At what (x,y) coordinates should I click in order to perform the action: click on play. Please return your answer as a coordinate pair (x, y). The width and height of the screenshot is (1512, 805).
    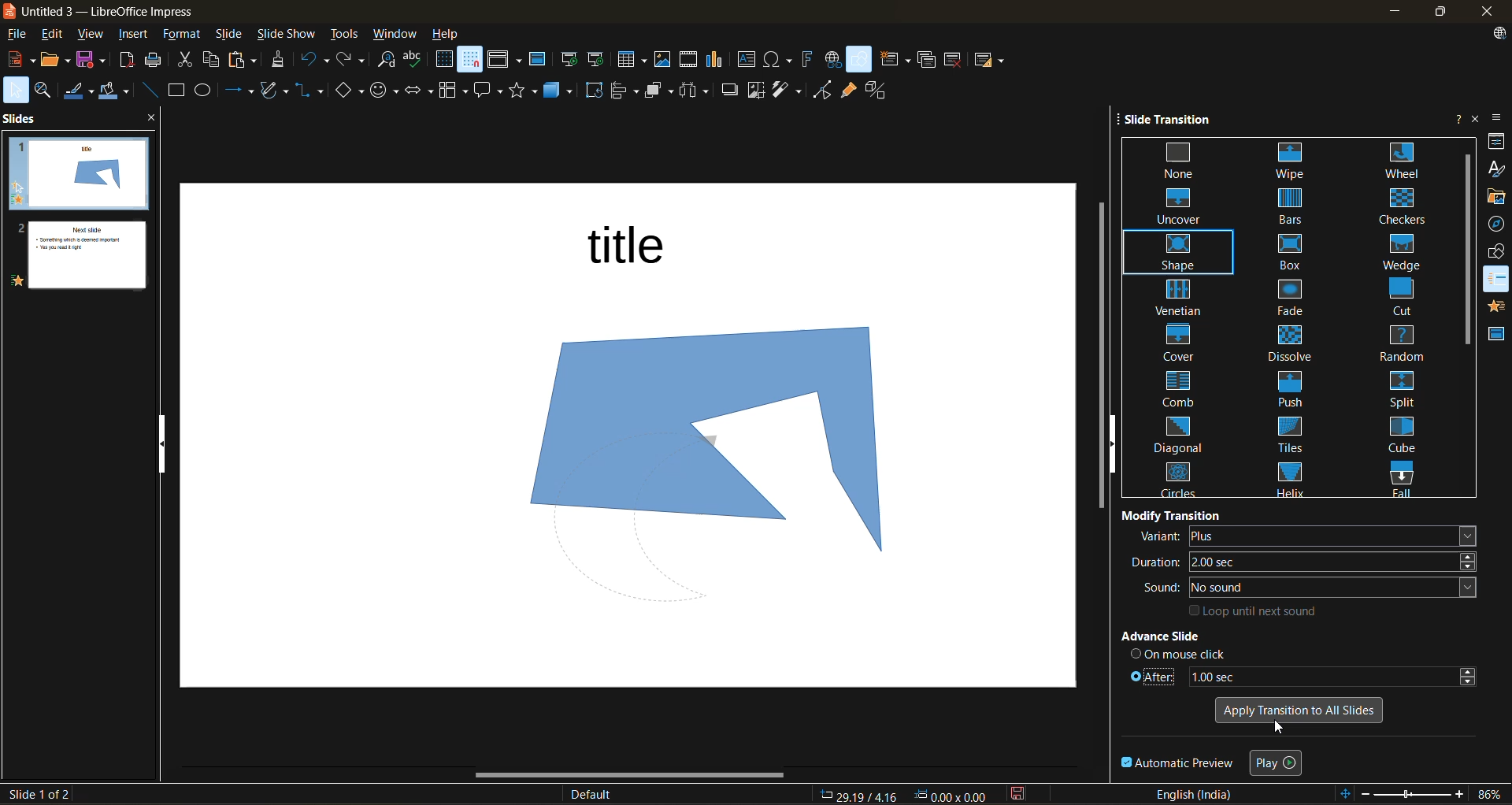
    Looking at the image, I should click on (1279, 761).